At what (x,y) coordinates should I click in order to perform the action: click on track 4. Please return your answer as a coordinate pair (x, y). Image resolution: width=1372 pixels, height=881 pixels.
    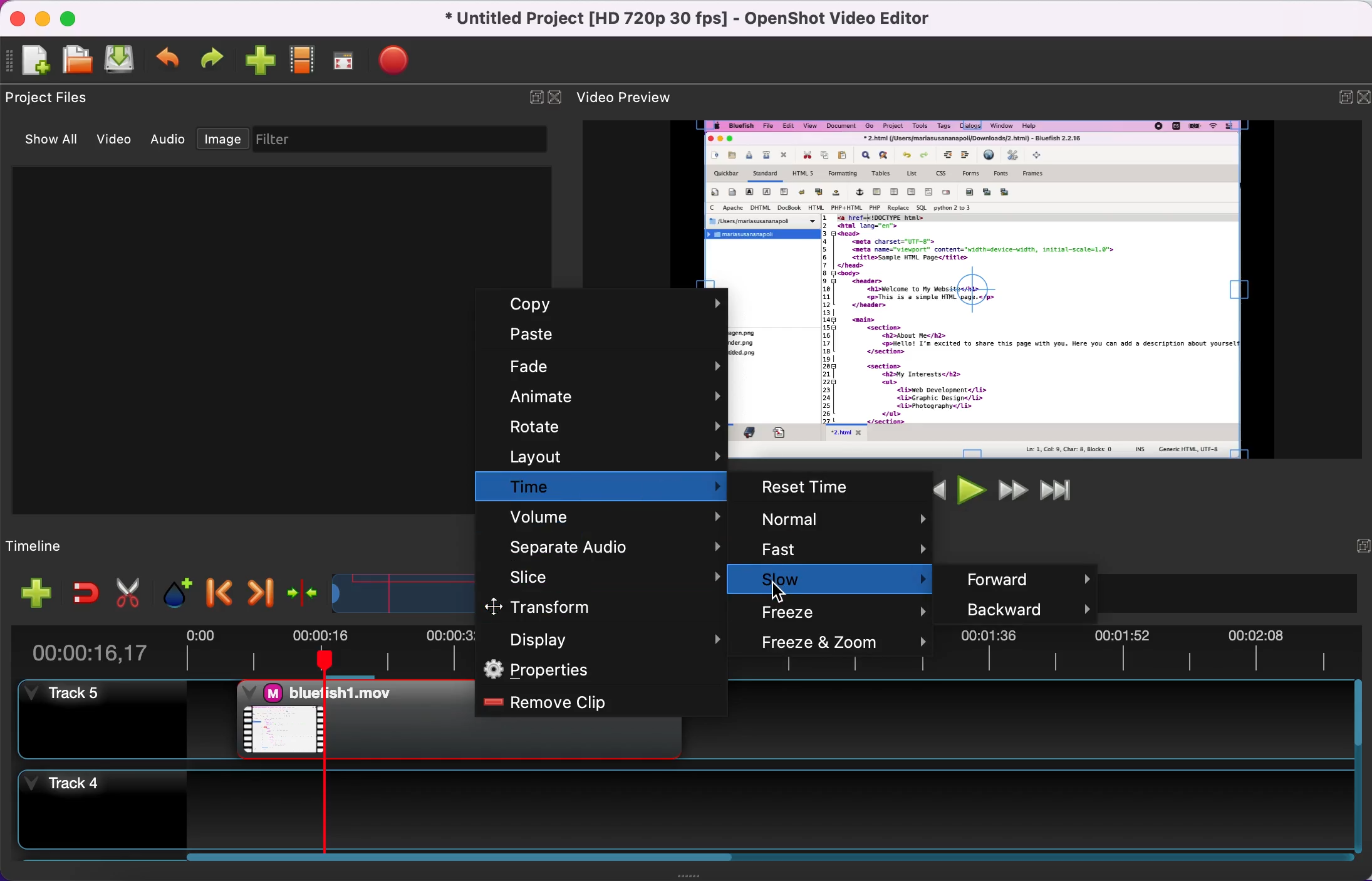
    Looking at the image, I should click on (679, 806).